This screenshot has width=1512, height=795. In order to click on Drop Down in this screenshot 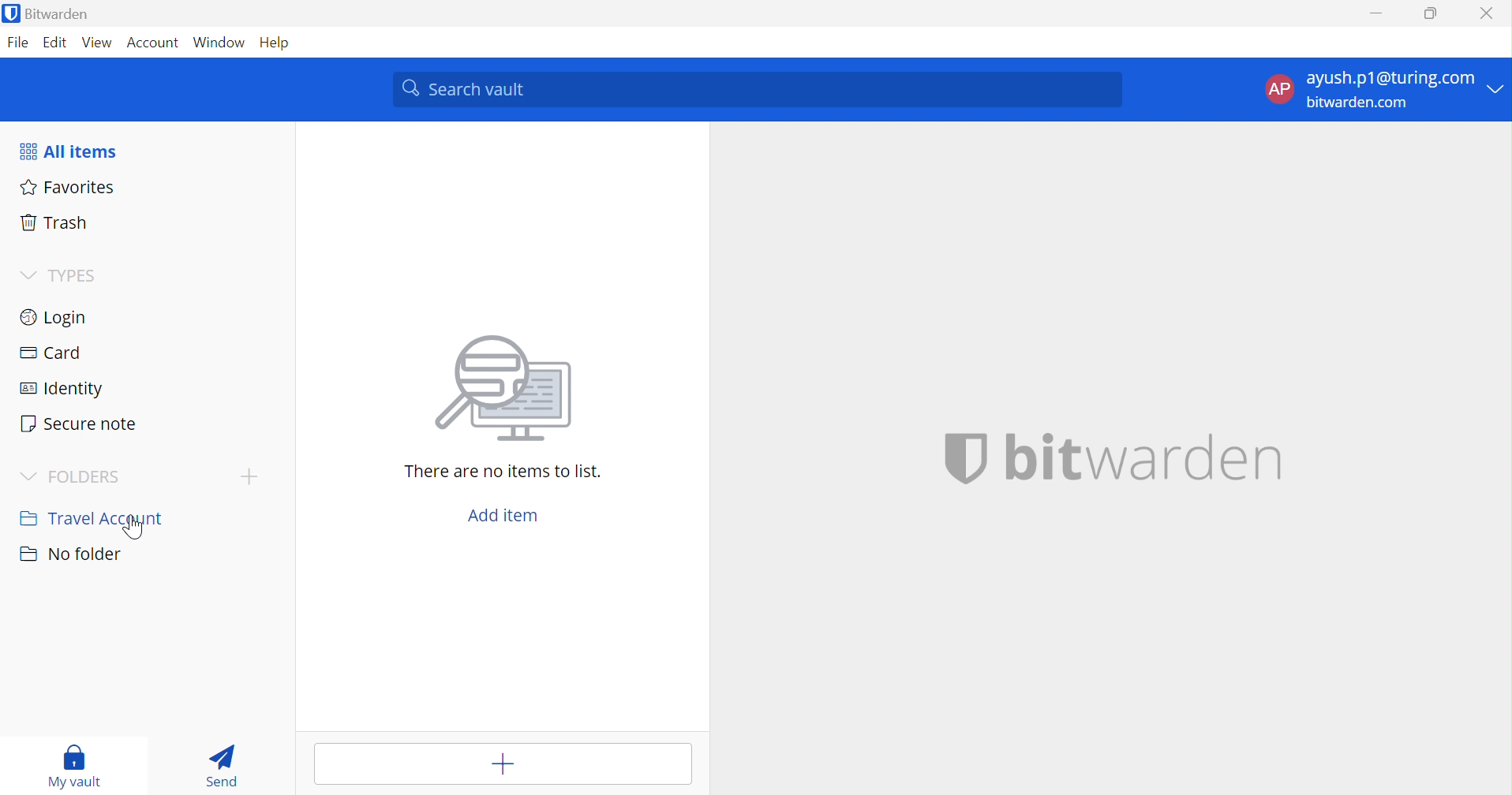, I will do `click(23, 274)`.